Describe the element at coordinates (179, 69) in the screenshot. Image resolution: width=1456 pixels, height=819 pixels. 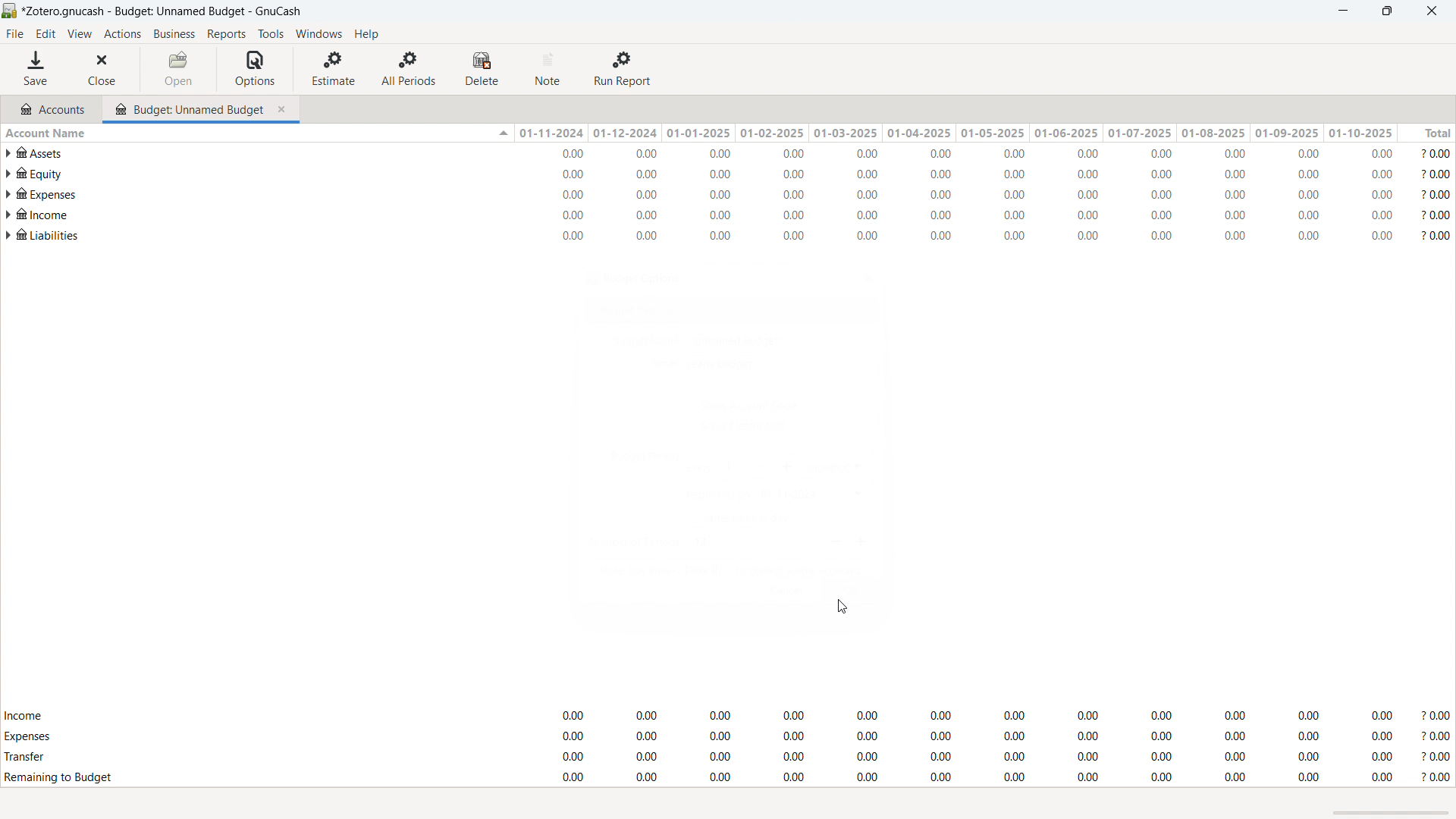
I see `open` at that location.